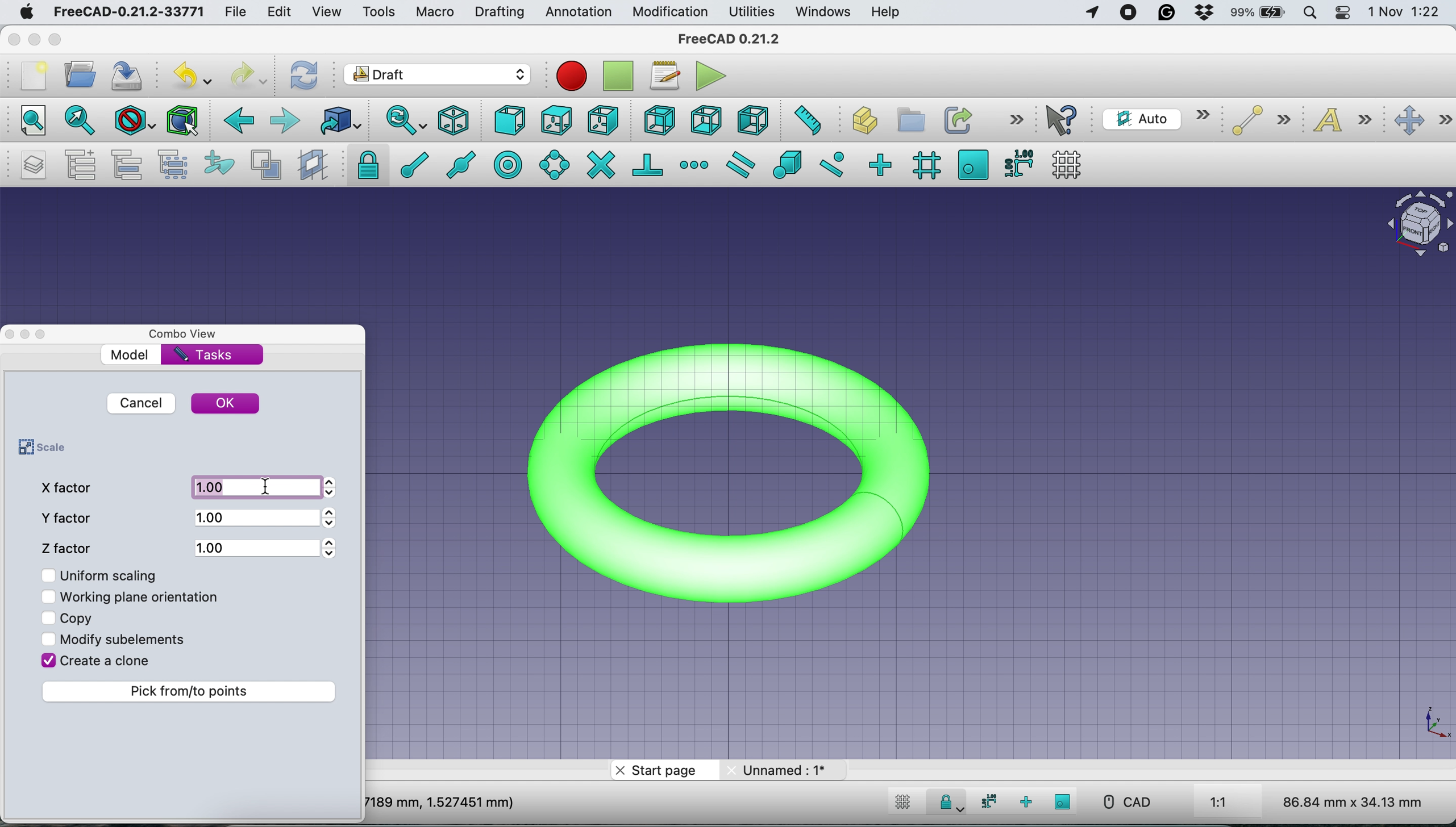  What do you see at coordinates (1129, 15) in the screenshot?
I see `screen recorder` at bounding box center [1129, 15].